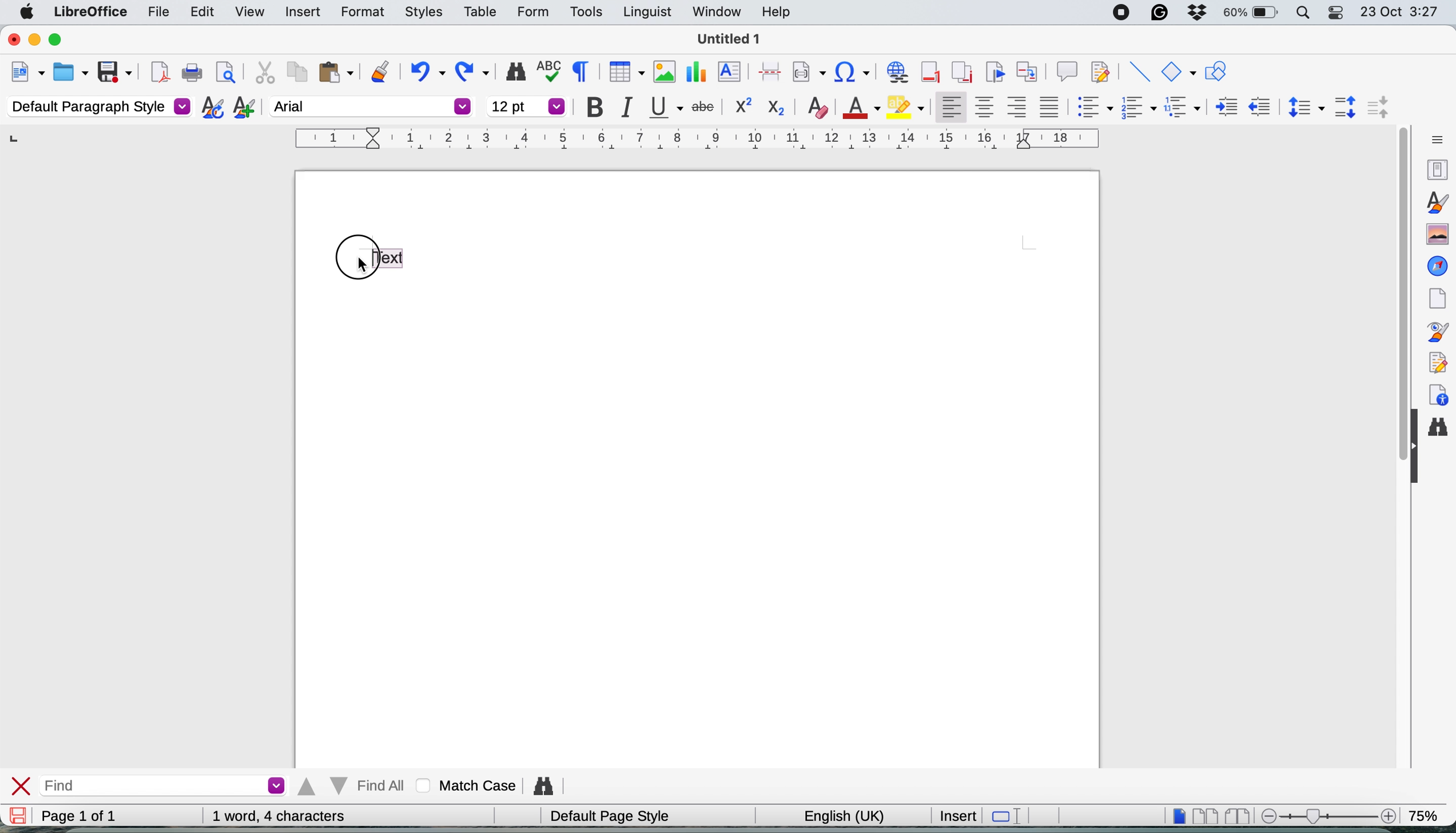 The width and height of the screenshot is (1456, 833). What do you see at coordinates (225, 74) in the screenshot?
I see `print preview` at bounding box center [225, 74].